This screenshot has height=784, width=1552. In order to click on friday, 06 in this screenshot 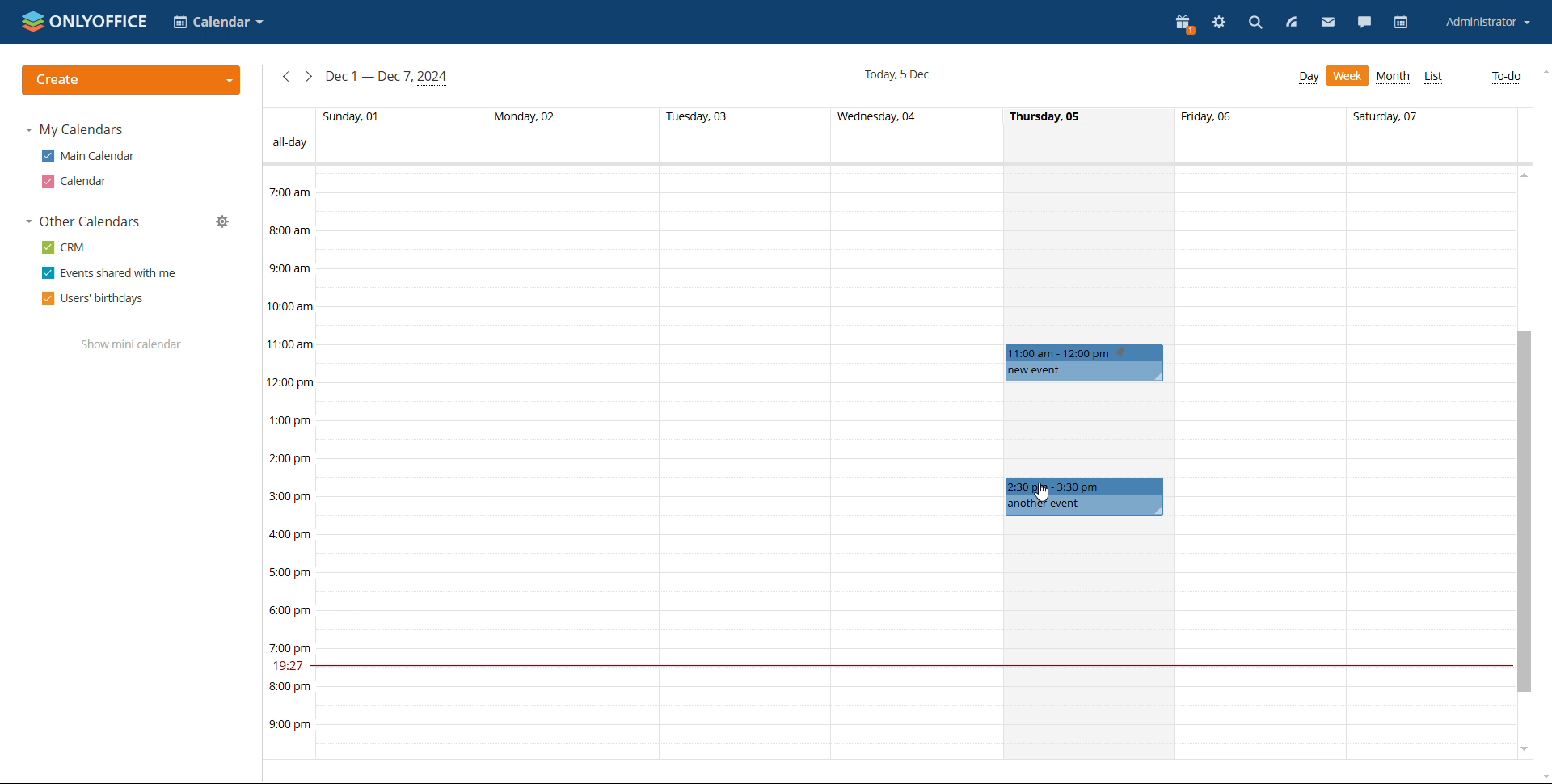, I will do `click(1207, 116)`.